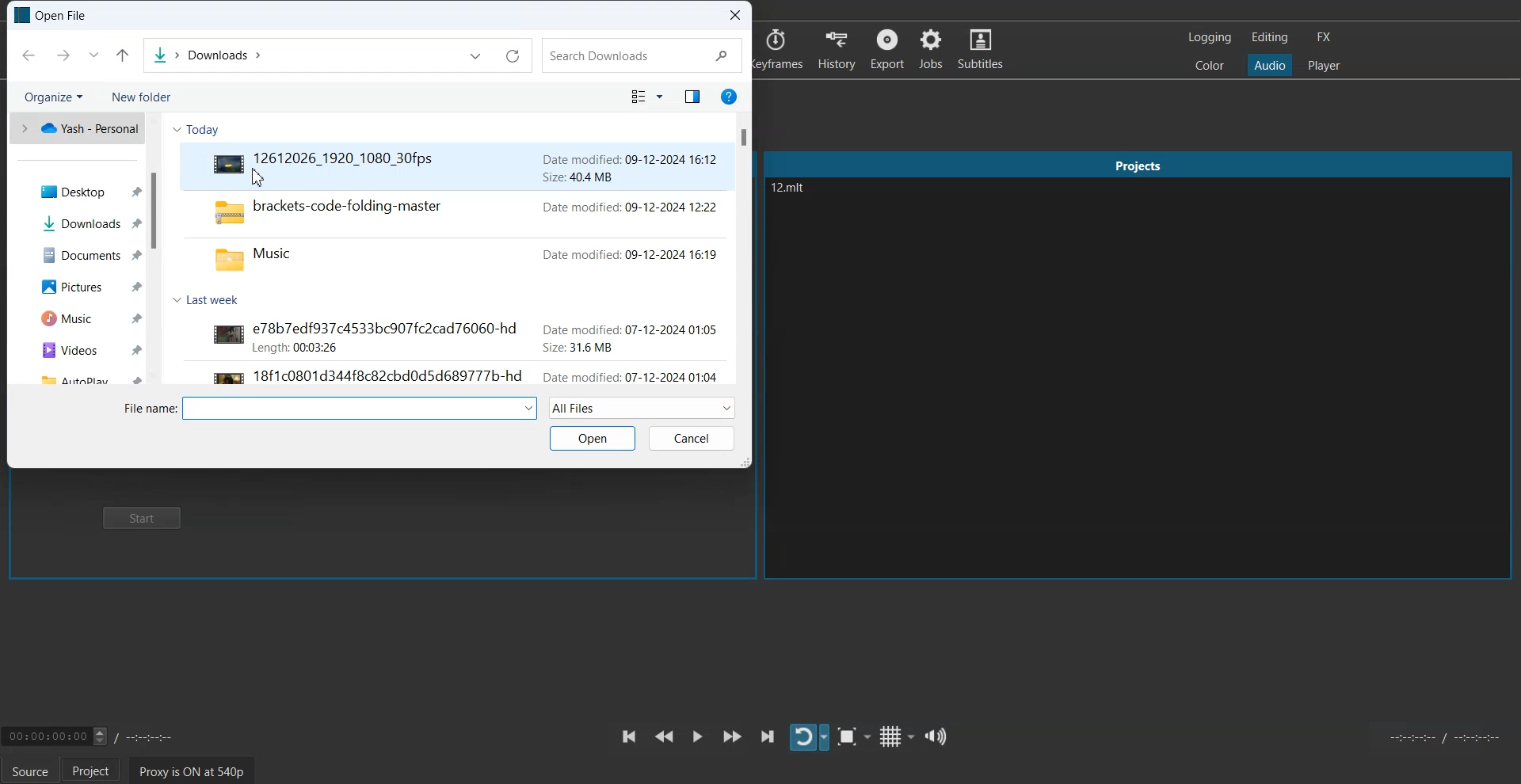 The height and width of the screenshot is (784, 1521). What do you see at coordinates (452, 351) in the screenshot?
I see `Files` at bounding box center [452, 351].